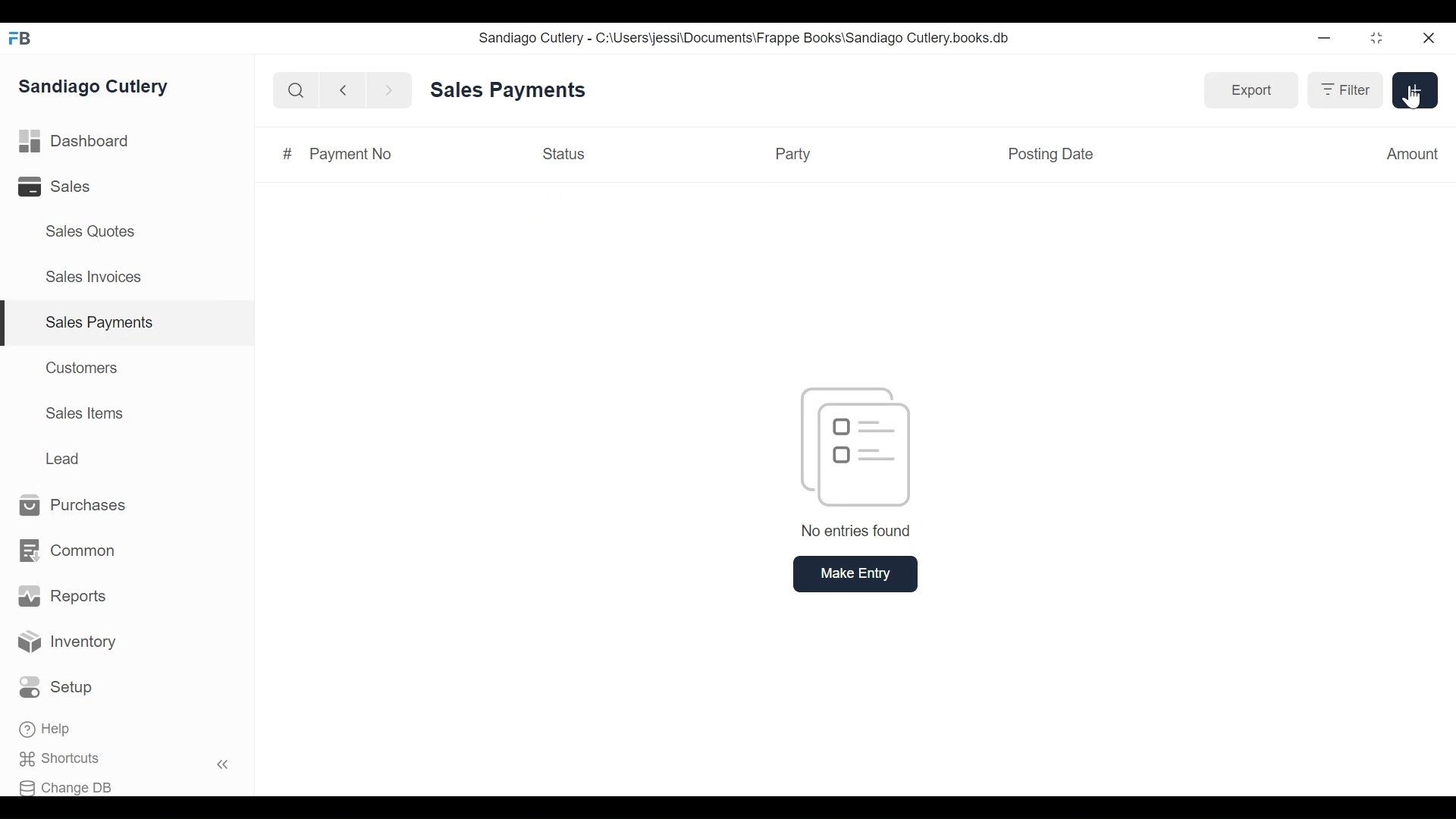 The width and height of the screenshot is (1456, 819). I want to click on Close , so click(1430, 38).